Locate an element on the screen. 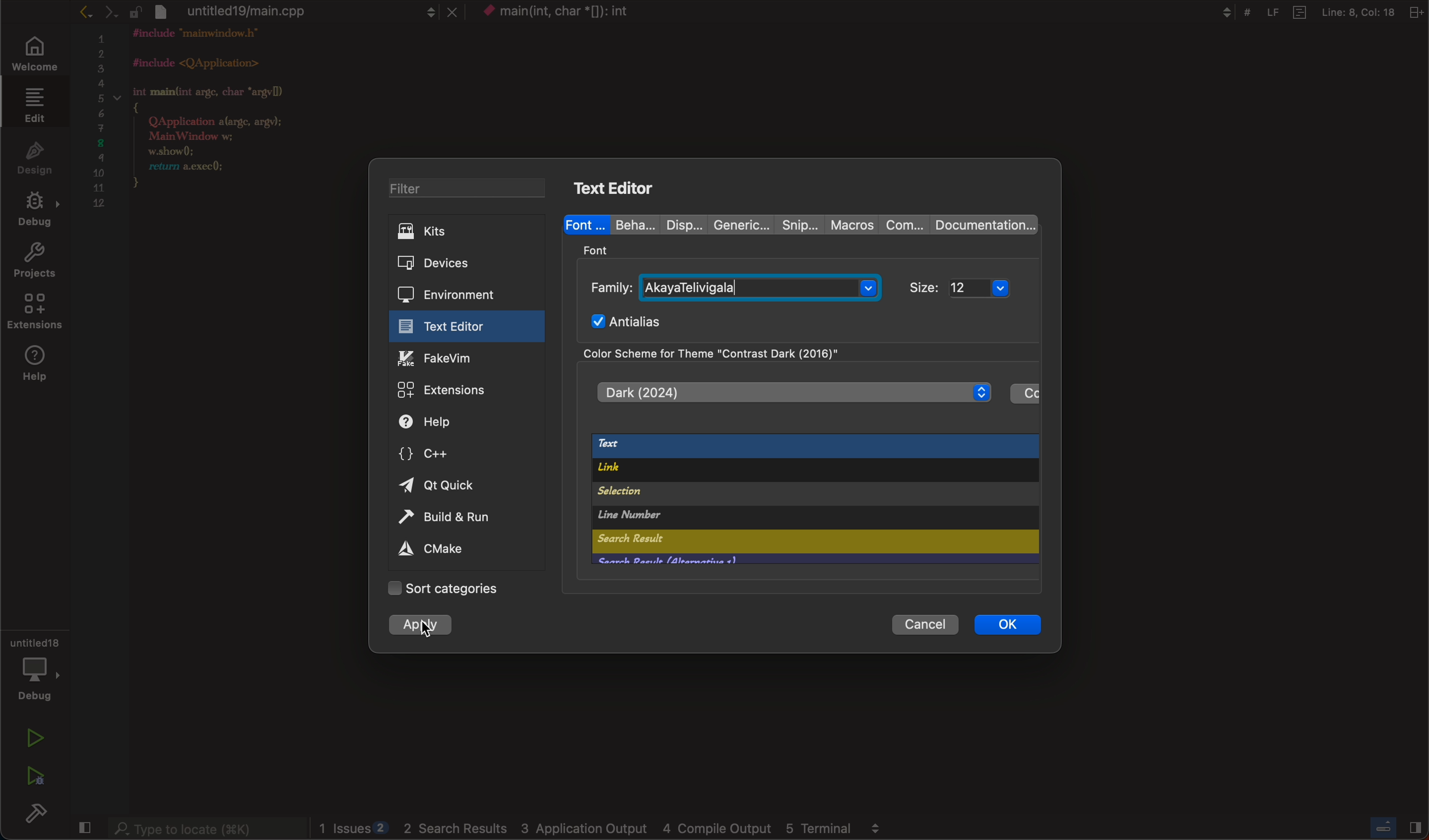 The height and width of the screenshot is (840, 1429). welcome is located at coordinates (37, 56).